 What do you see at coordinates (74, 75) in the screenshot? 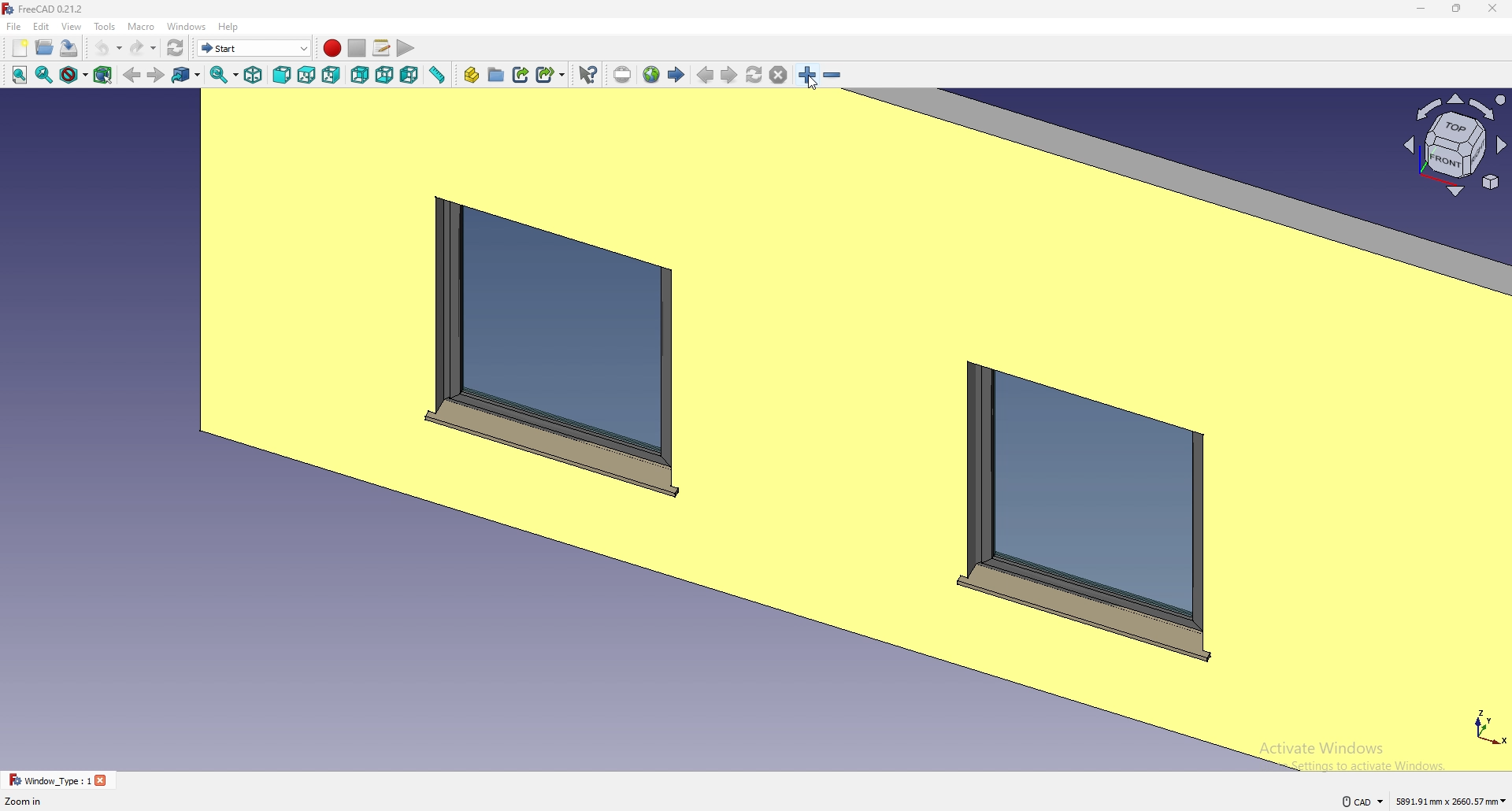
I see `draw style` at bounding box center [74, 75].